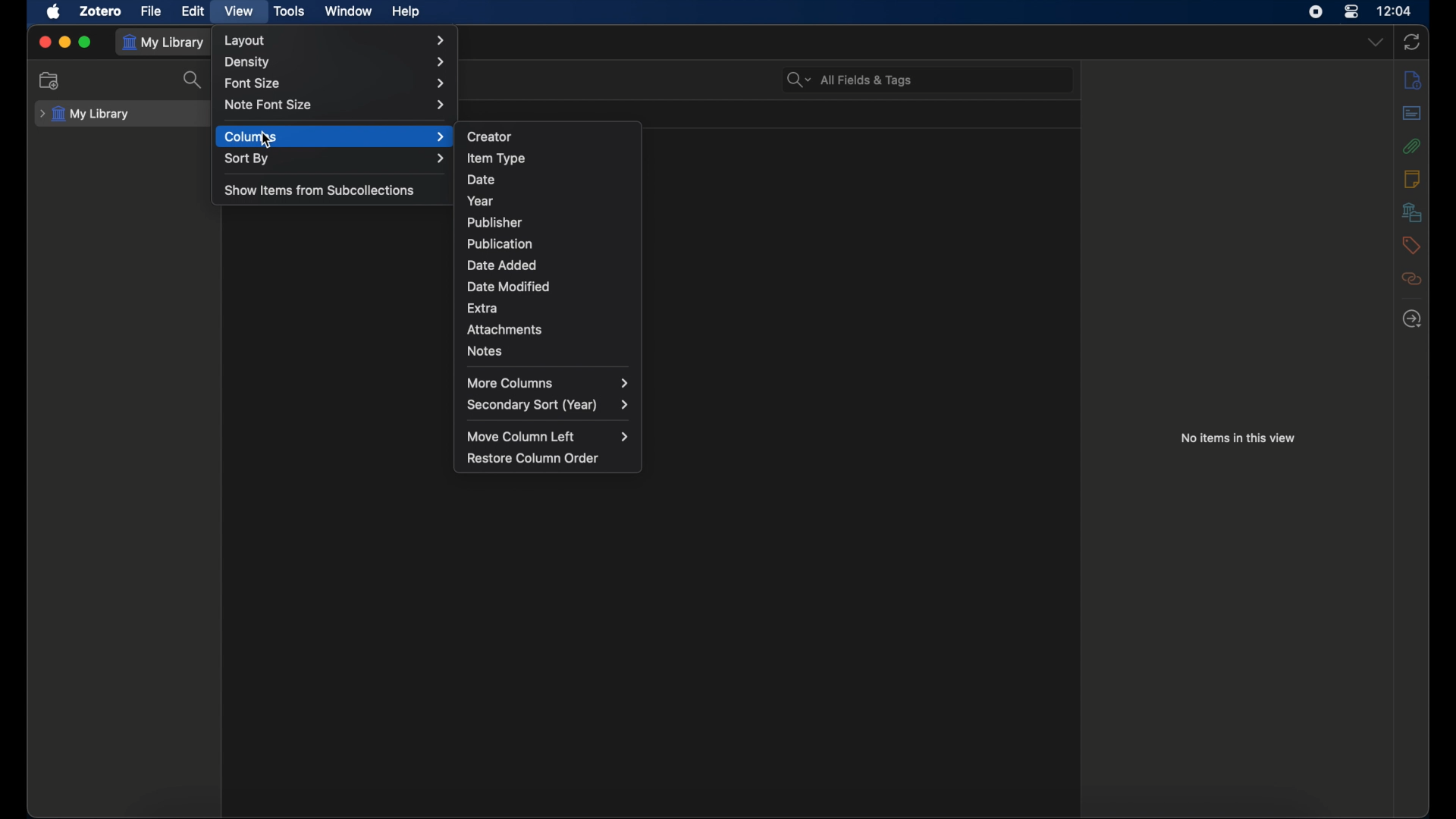 The height and width of the screenshot is (819, 1456). I want to click on notefont size, so click(338, 105).